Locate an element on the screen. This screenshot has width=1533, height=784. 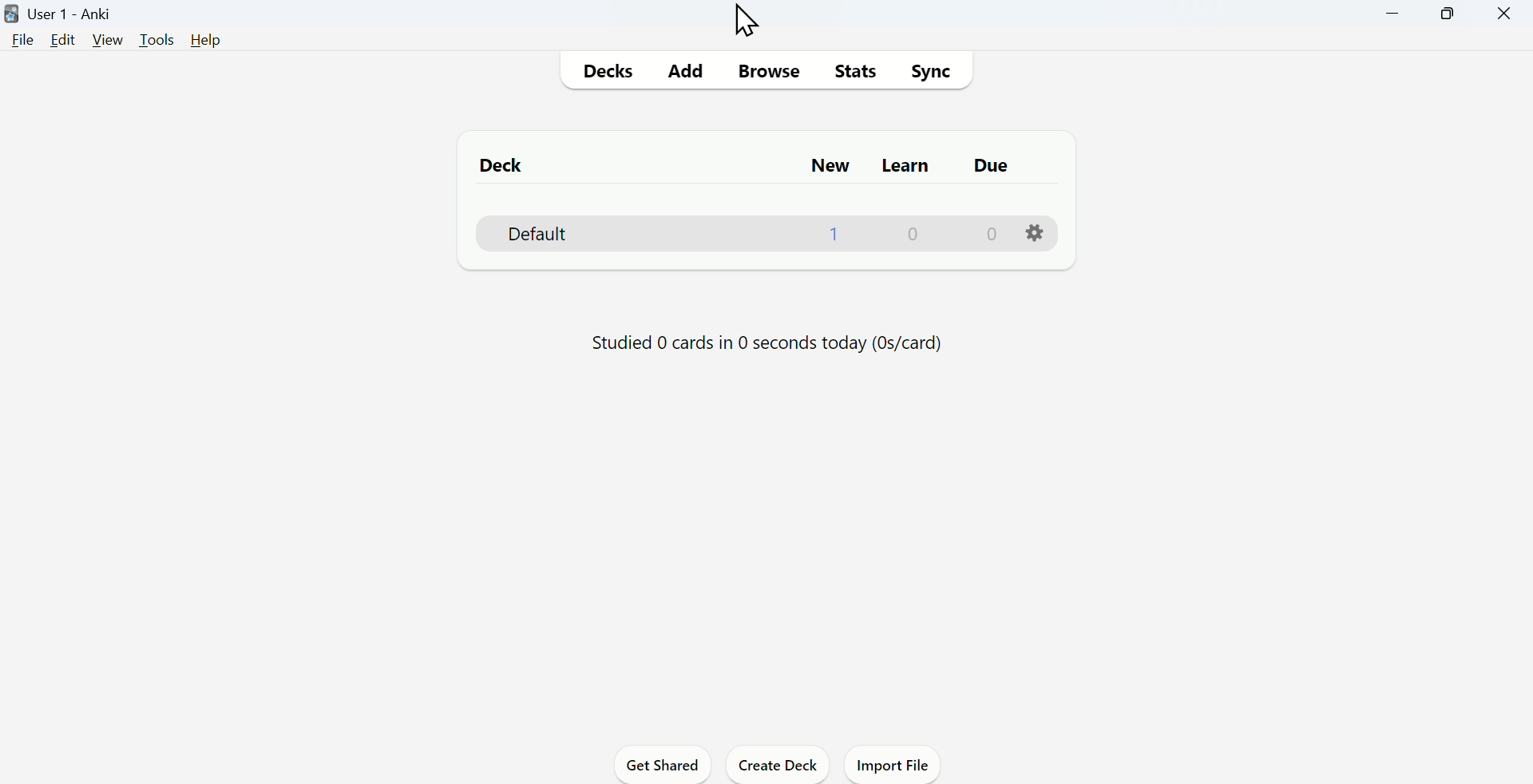
New is located at coordinates (826, 164).